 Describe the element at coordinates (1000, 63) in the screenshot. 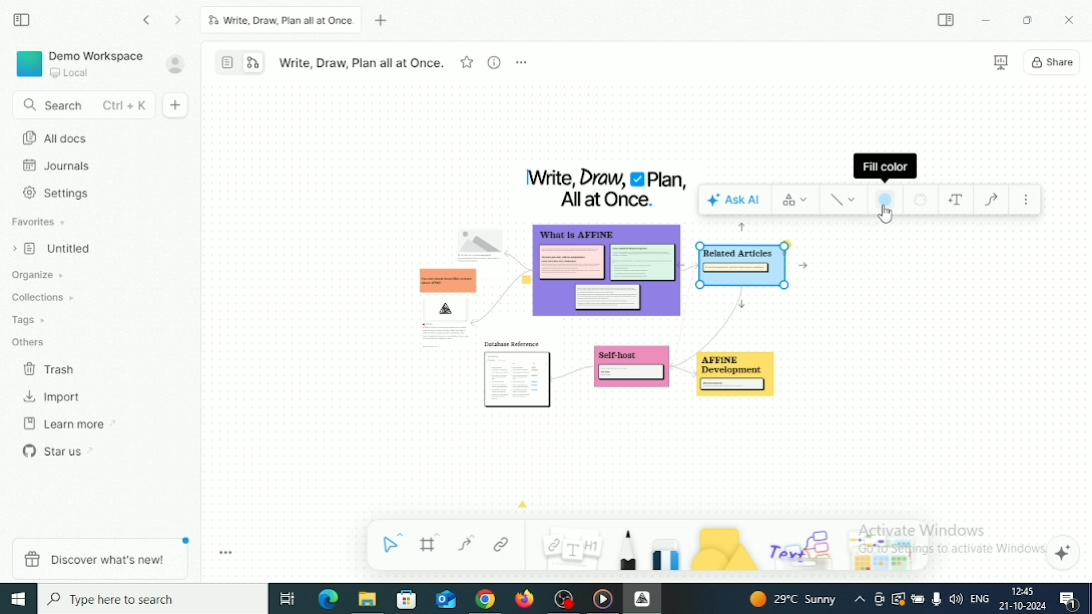

I see `Presentation` at that location.